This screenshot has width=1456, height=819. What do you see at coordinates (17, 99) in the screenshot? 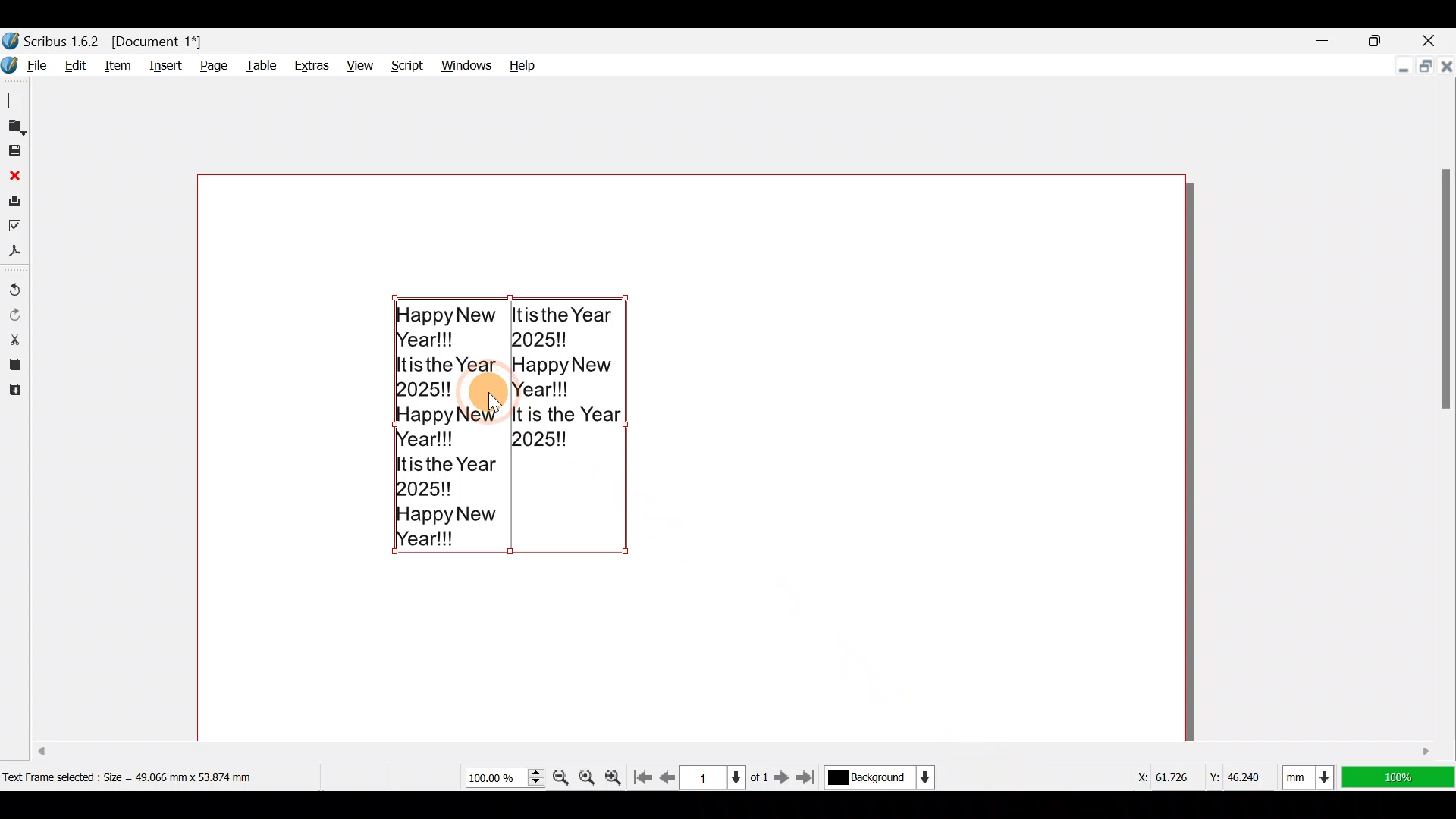
I see `New` at bounding box center [17, 99].